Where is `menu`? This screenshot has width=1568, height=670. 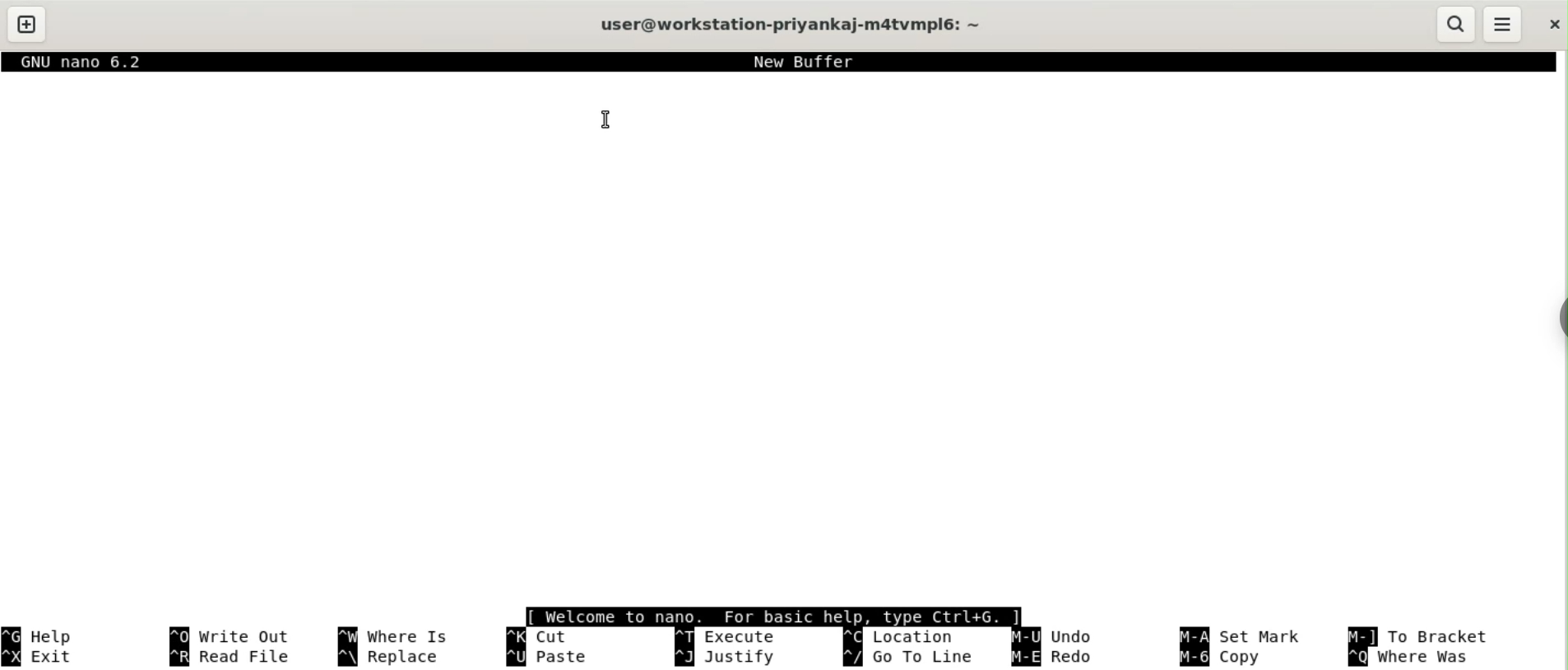
menu is located at coordinates (1501, 24).